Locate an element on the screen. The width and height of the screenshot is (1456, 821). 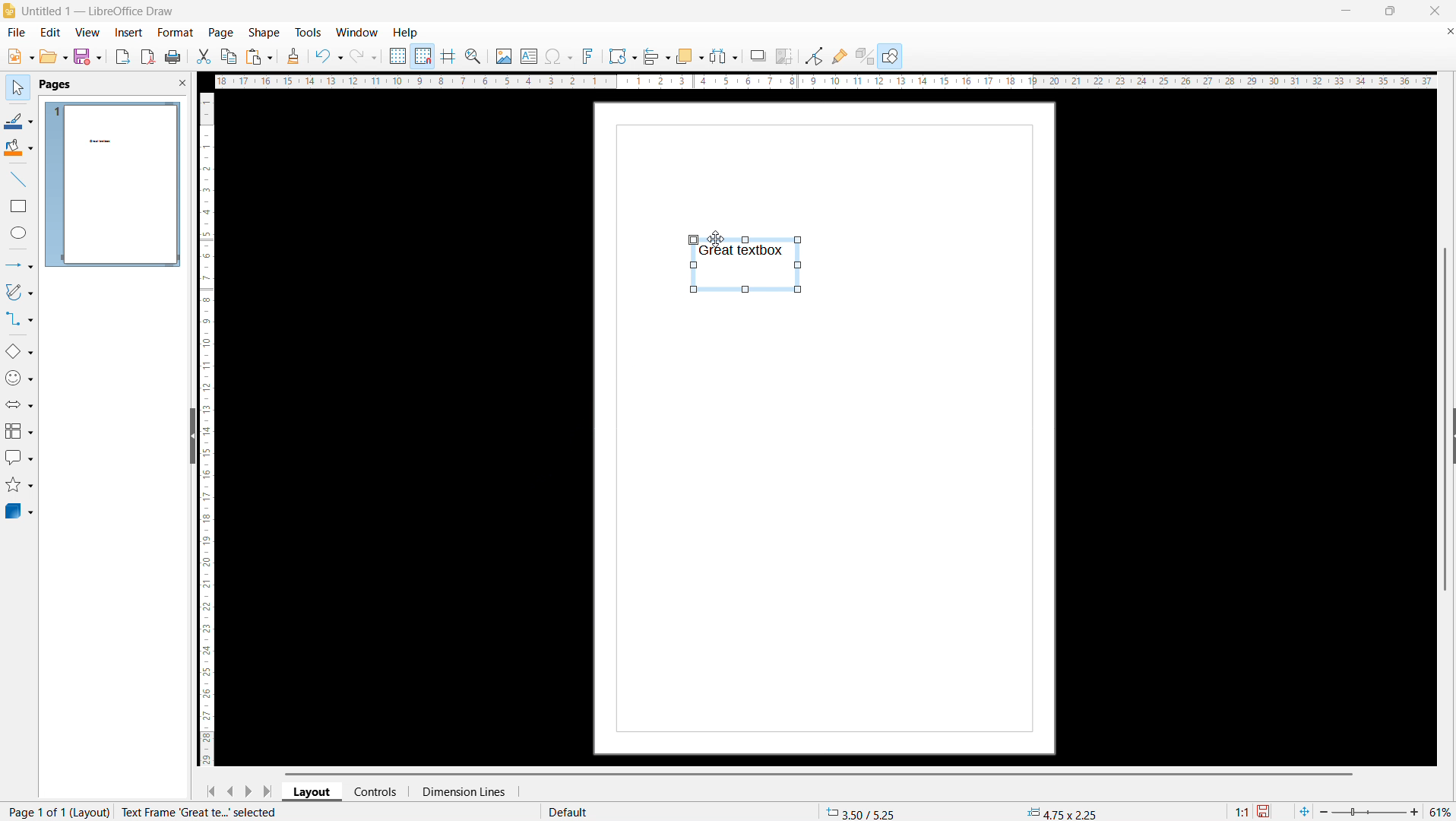
copy is located at coordinates (228, 55).